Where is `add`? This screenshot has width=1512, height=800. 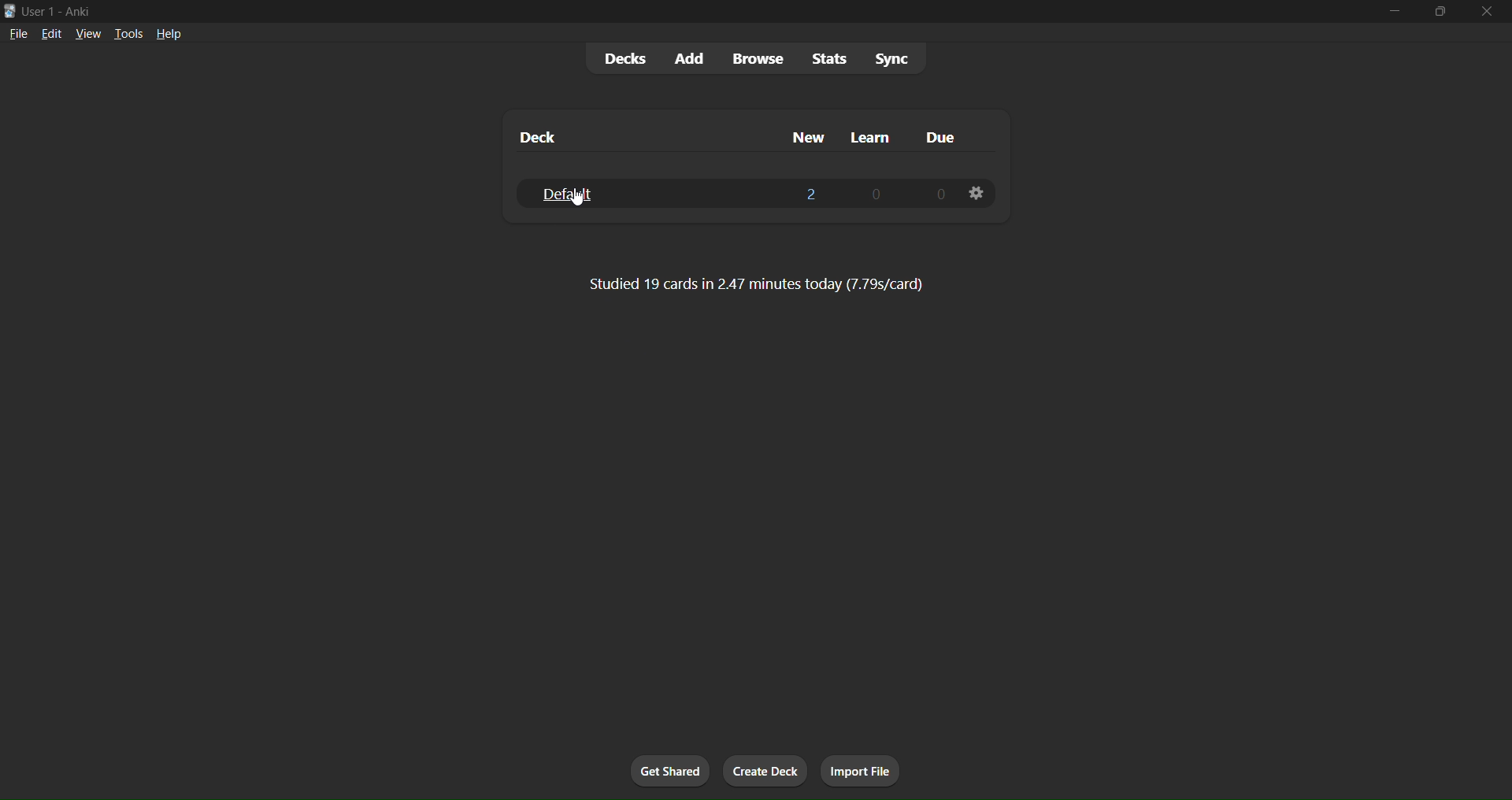
add is located at coordinates (691, 56).